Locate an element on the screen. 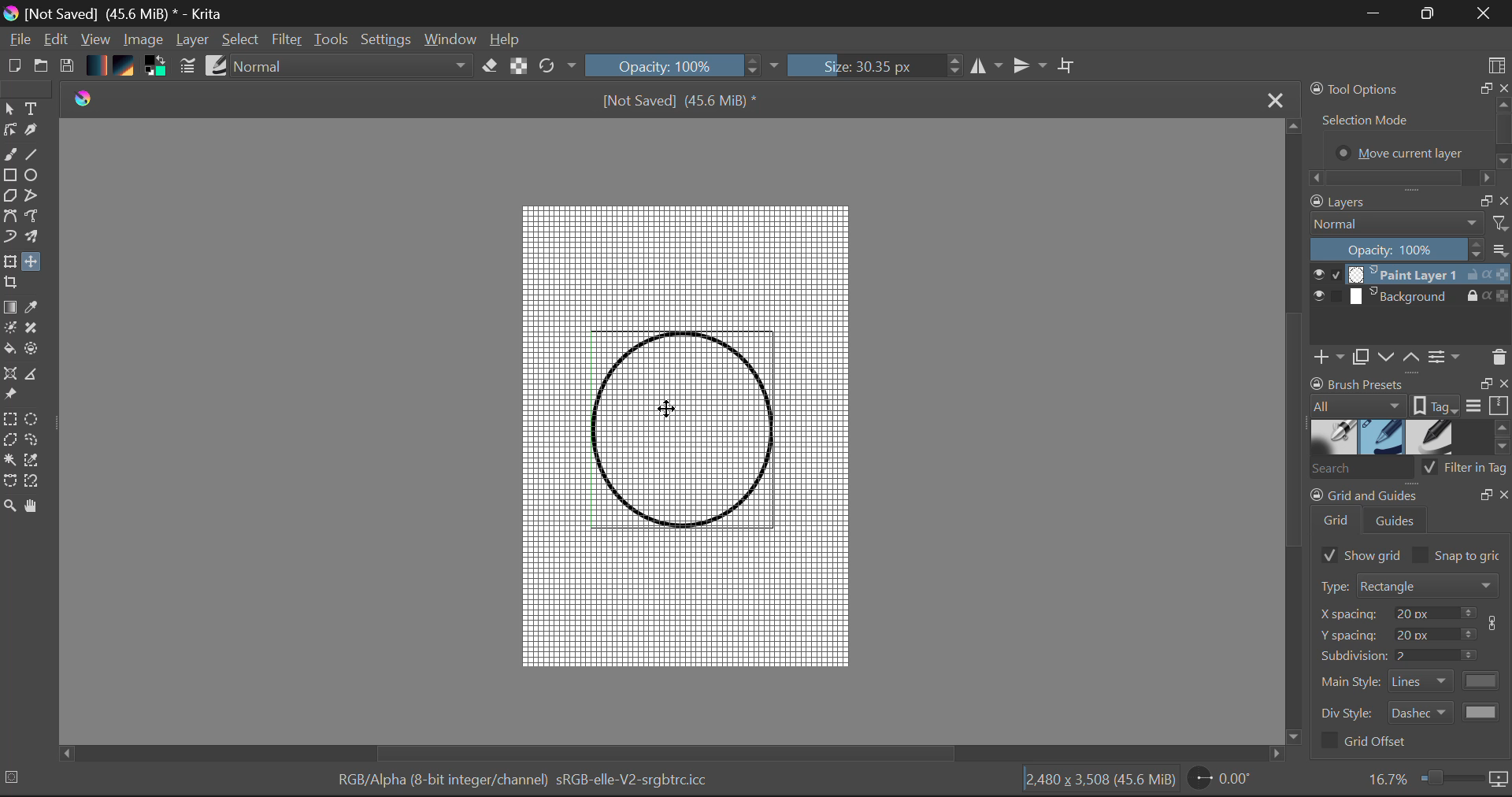  Transform Layer is located at coordinates (9, 262).